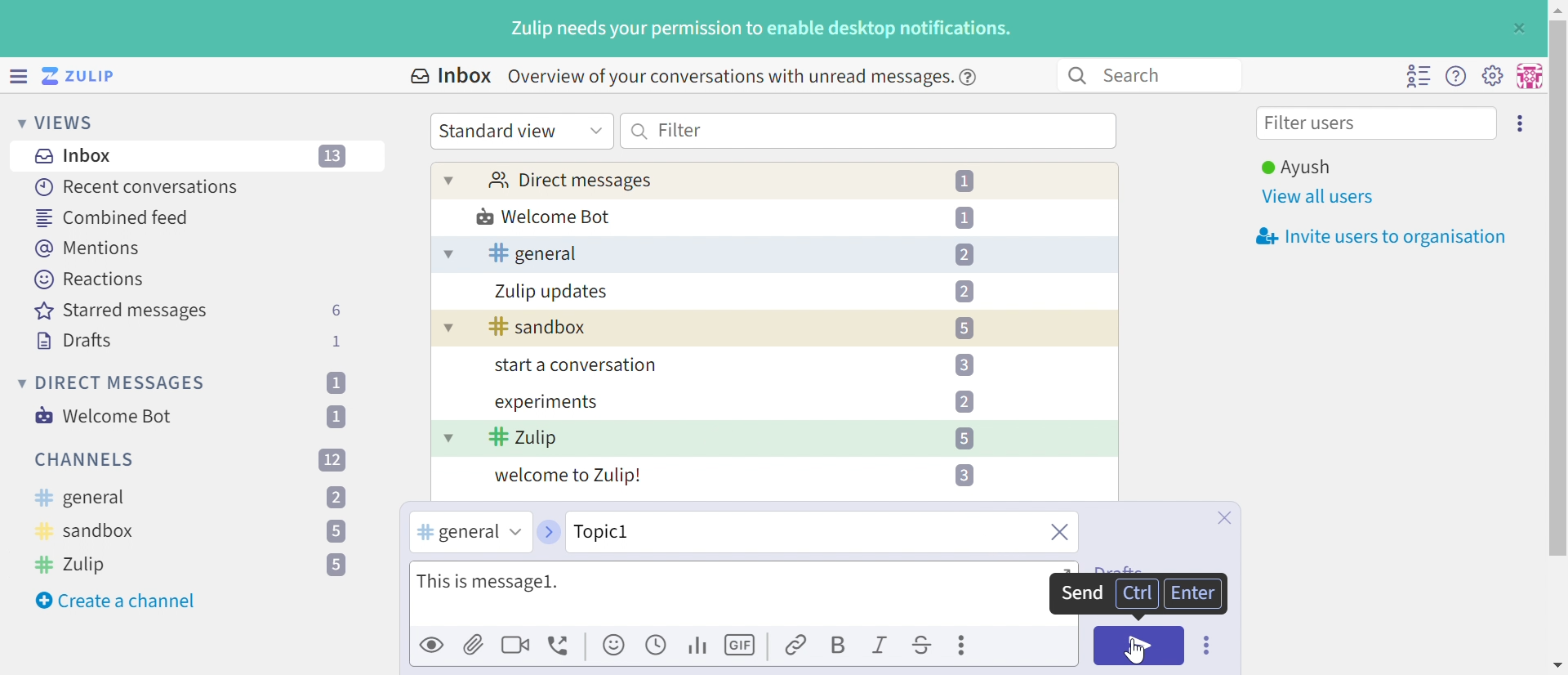 This screenshot has width=1568, height=675. I want to click on Close, so click(1223, 518).